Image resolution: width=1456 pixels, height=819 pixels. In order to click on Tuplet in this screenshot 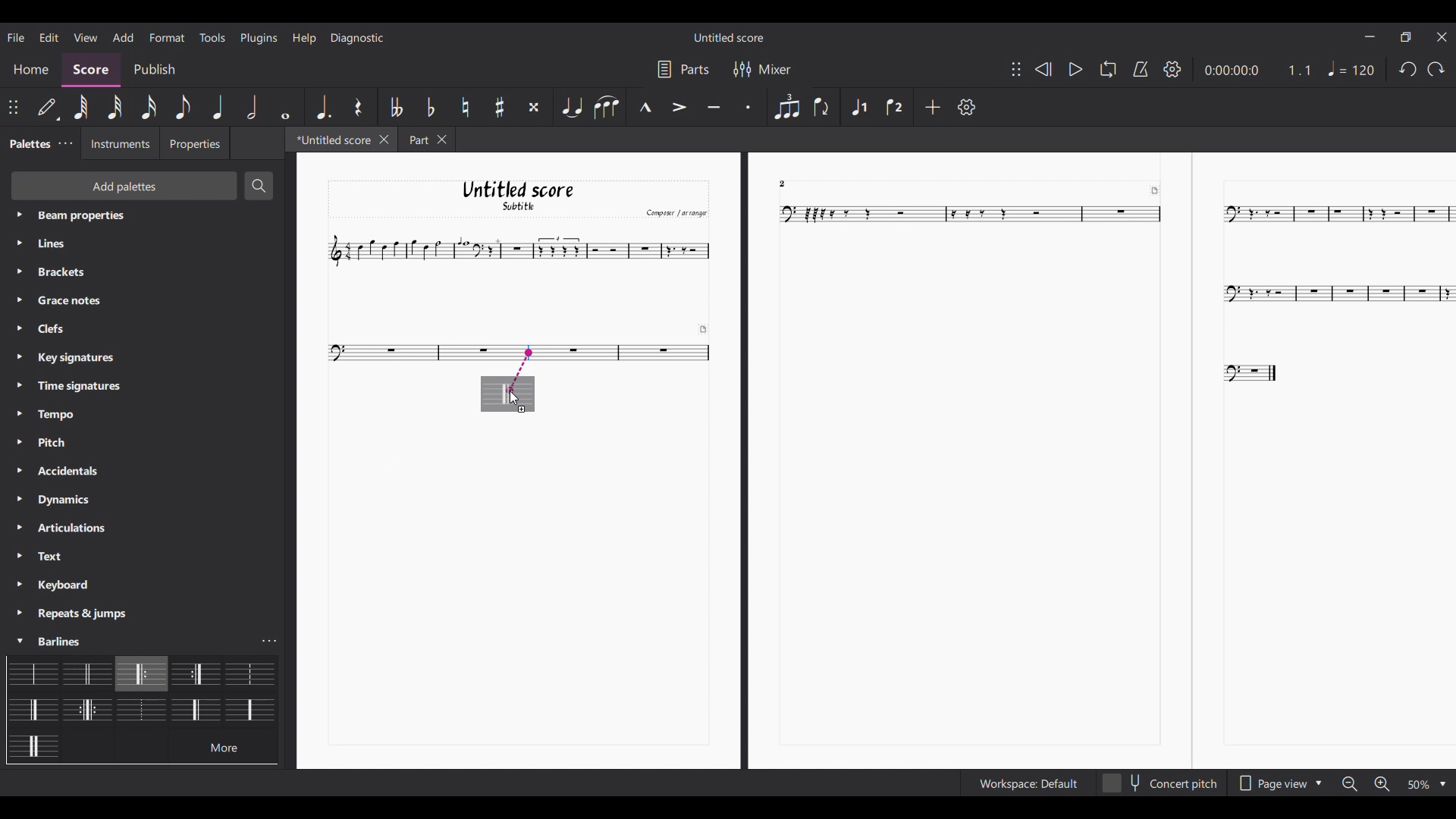, I will do `click(787, 107)`.